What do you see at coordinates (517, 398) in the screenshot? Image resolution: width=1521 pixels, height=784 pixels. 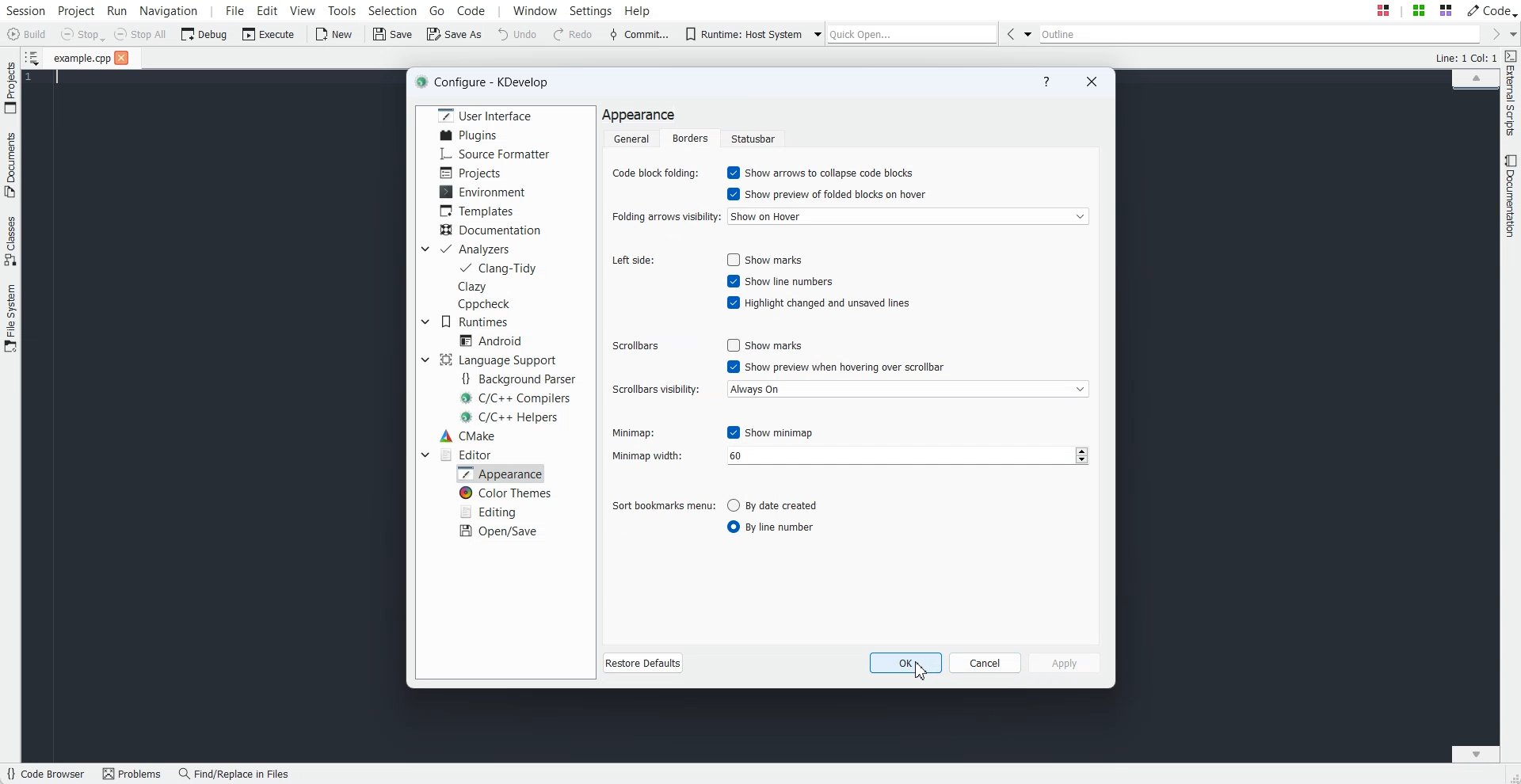 I see `C/C++ Compilers` at bounding box center [517, 398].